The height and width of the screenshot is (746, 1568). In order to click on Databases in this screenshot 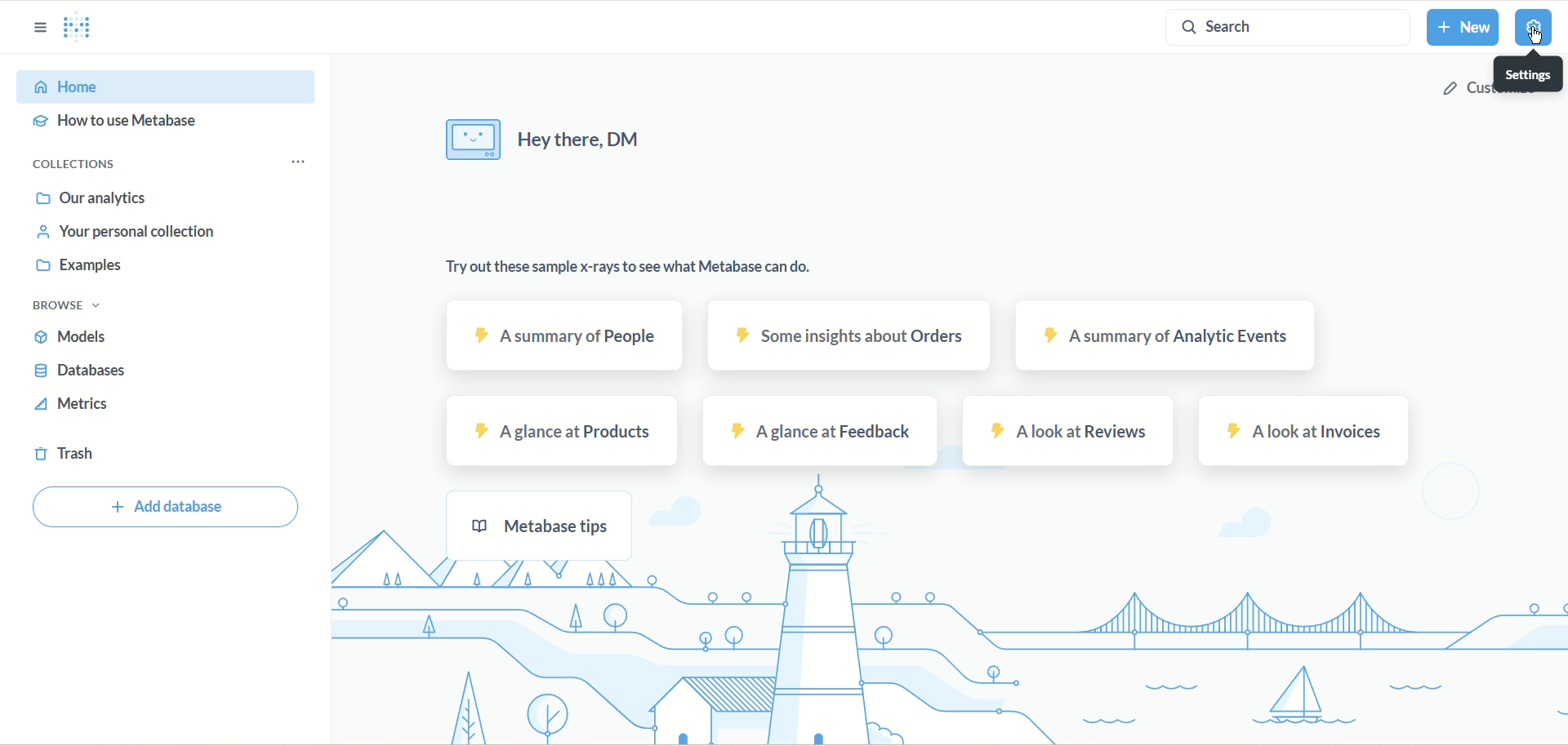, I will do `click(68, 371)`.